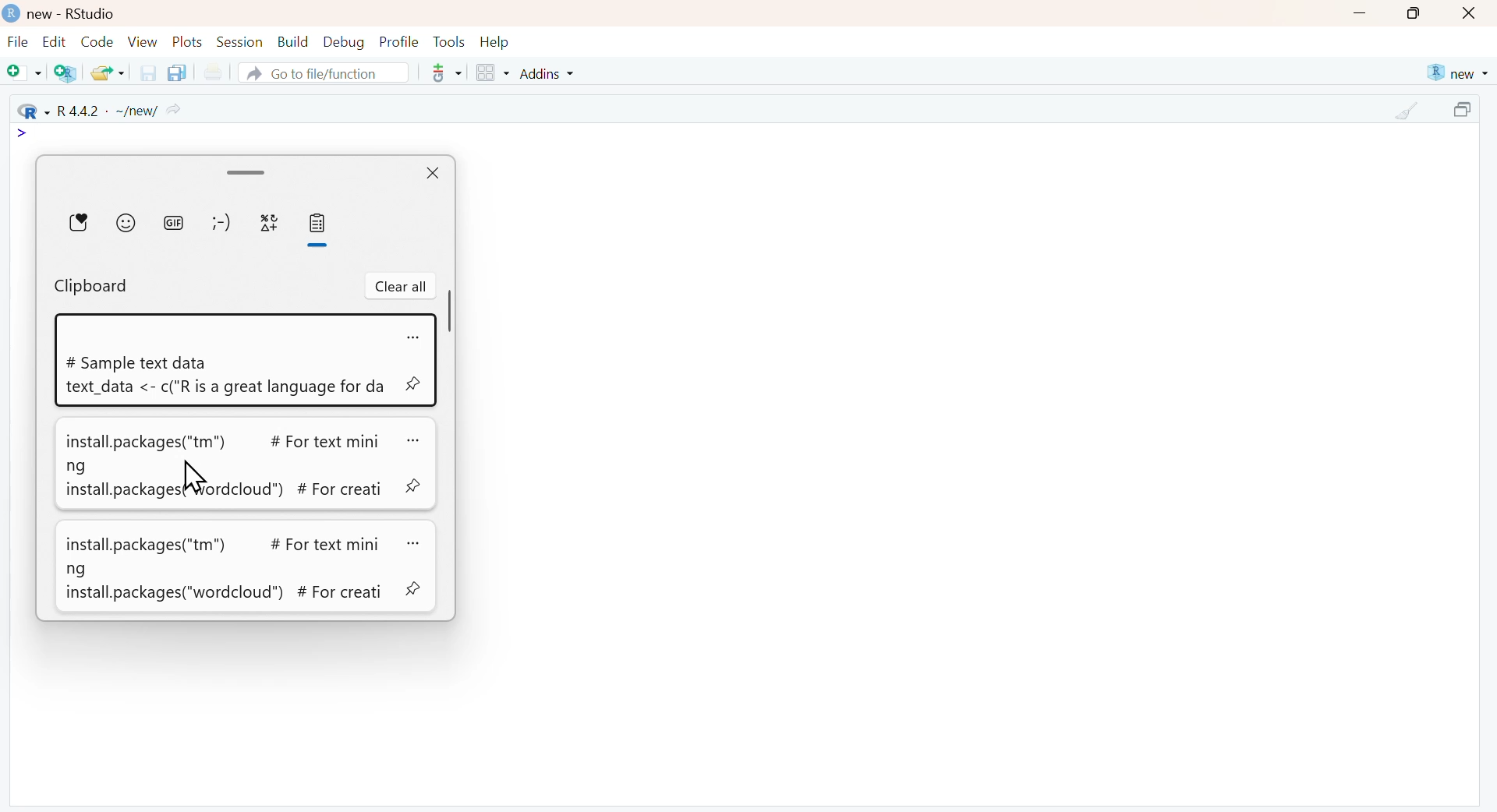 This screenshot has height=812, width=1497. I want to click on maximize, so click(1467, 110).